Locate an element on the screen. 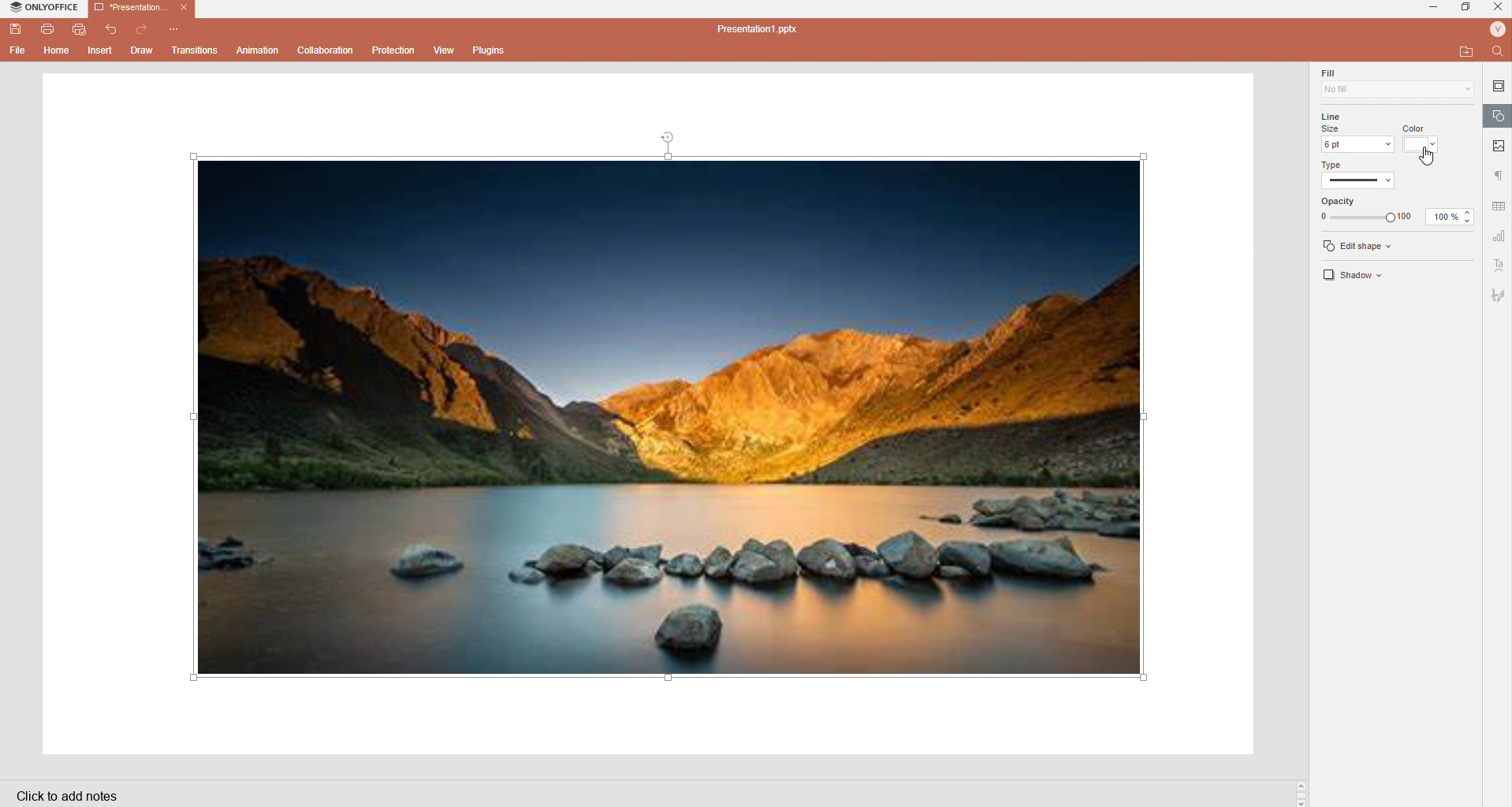  Redo is located at coordinates (143, 28).